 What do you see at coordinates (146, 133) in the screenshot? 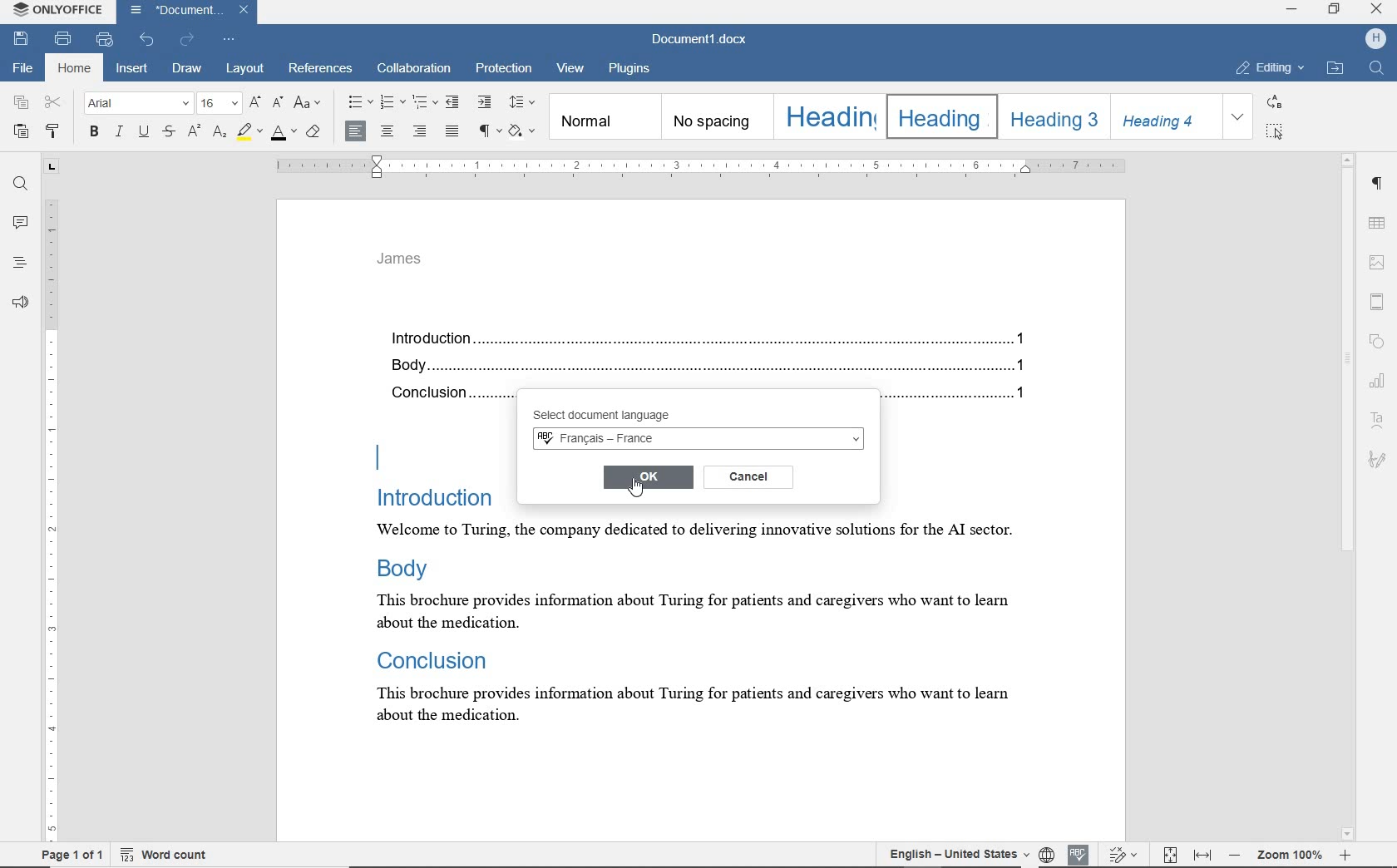
I see `underline` at bounding box center [146, 133].